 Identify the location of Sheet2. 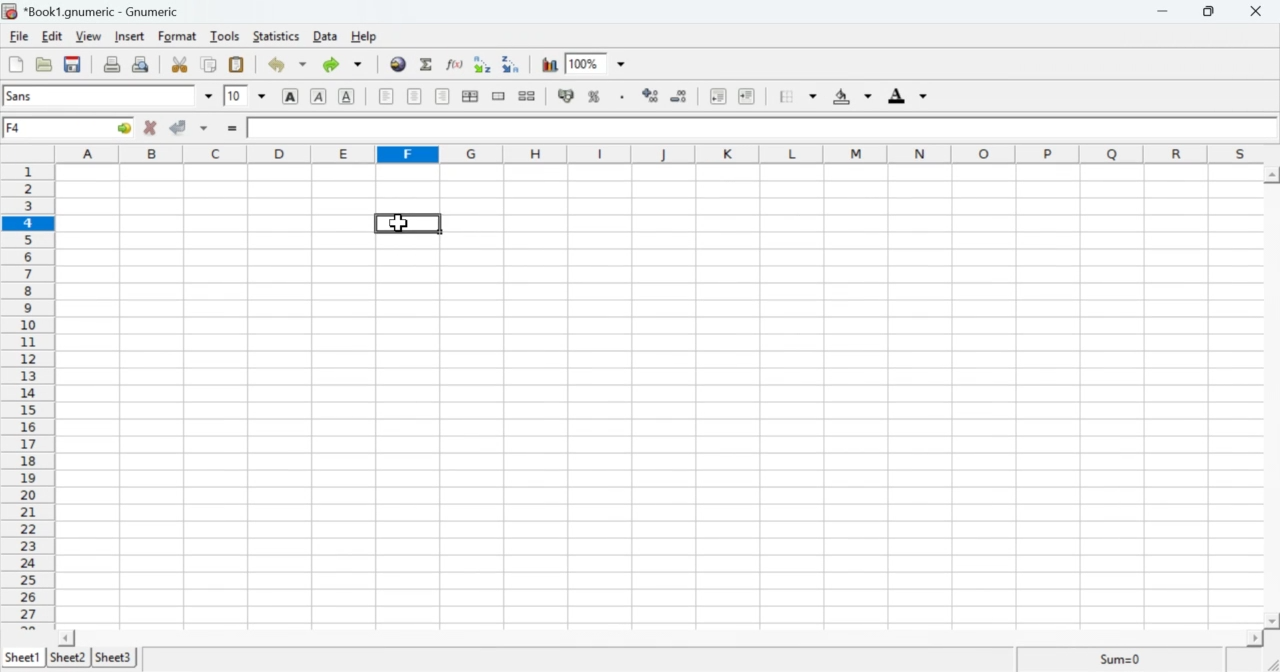
(67, 655).